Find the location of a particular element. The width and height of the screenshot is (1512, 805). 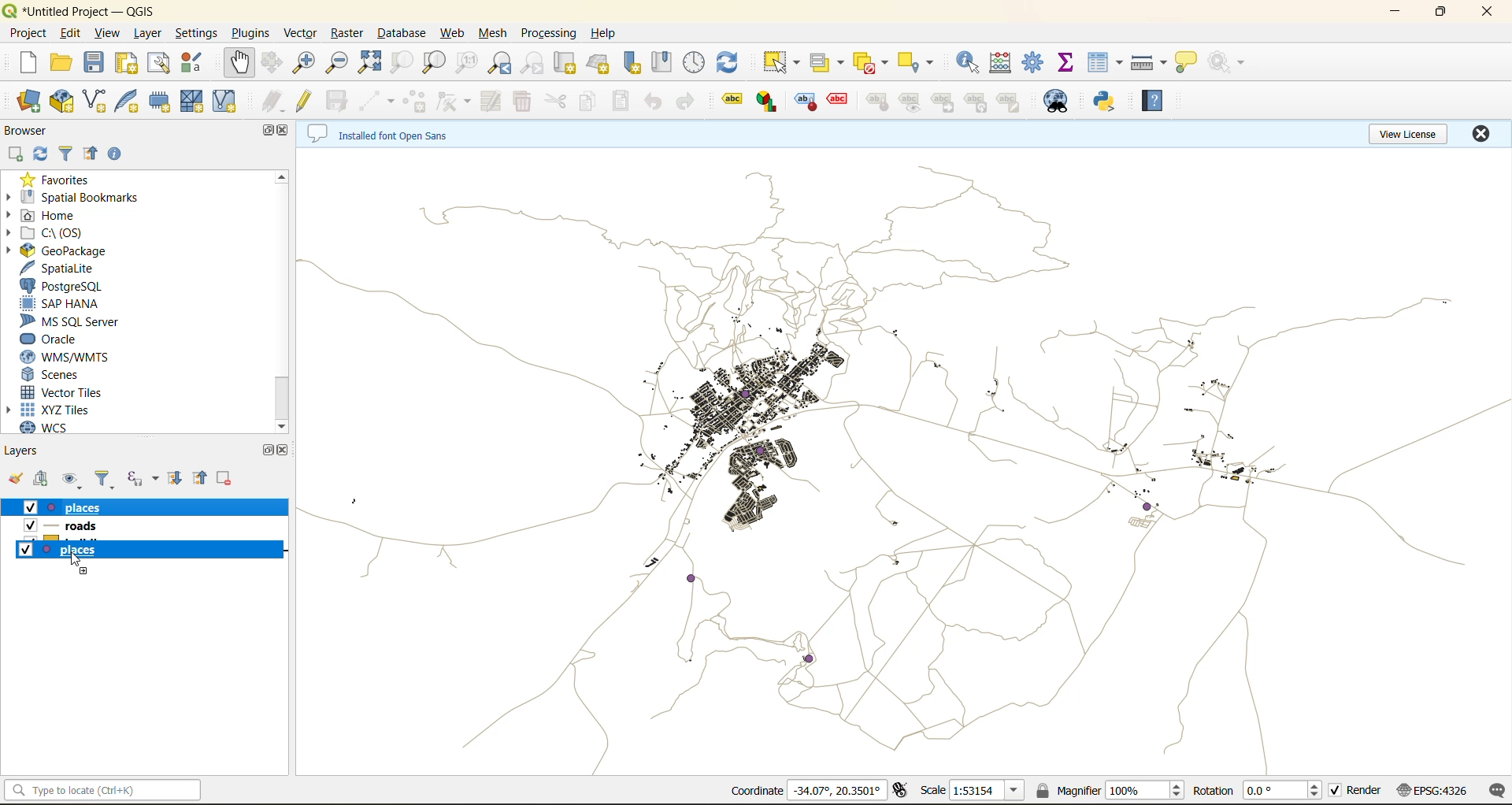

favorites is located at coordinates (61, 177).